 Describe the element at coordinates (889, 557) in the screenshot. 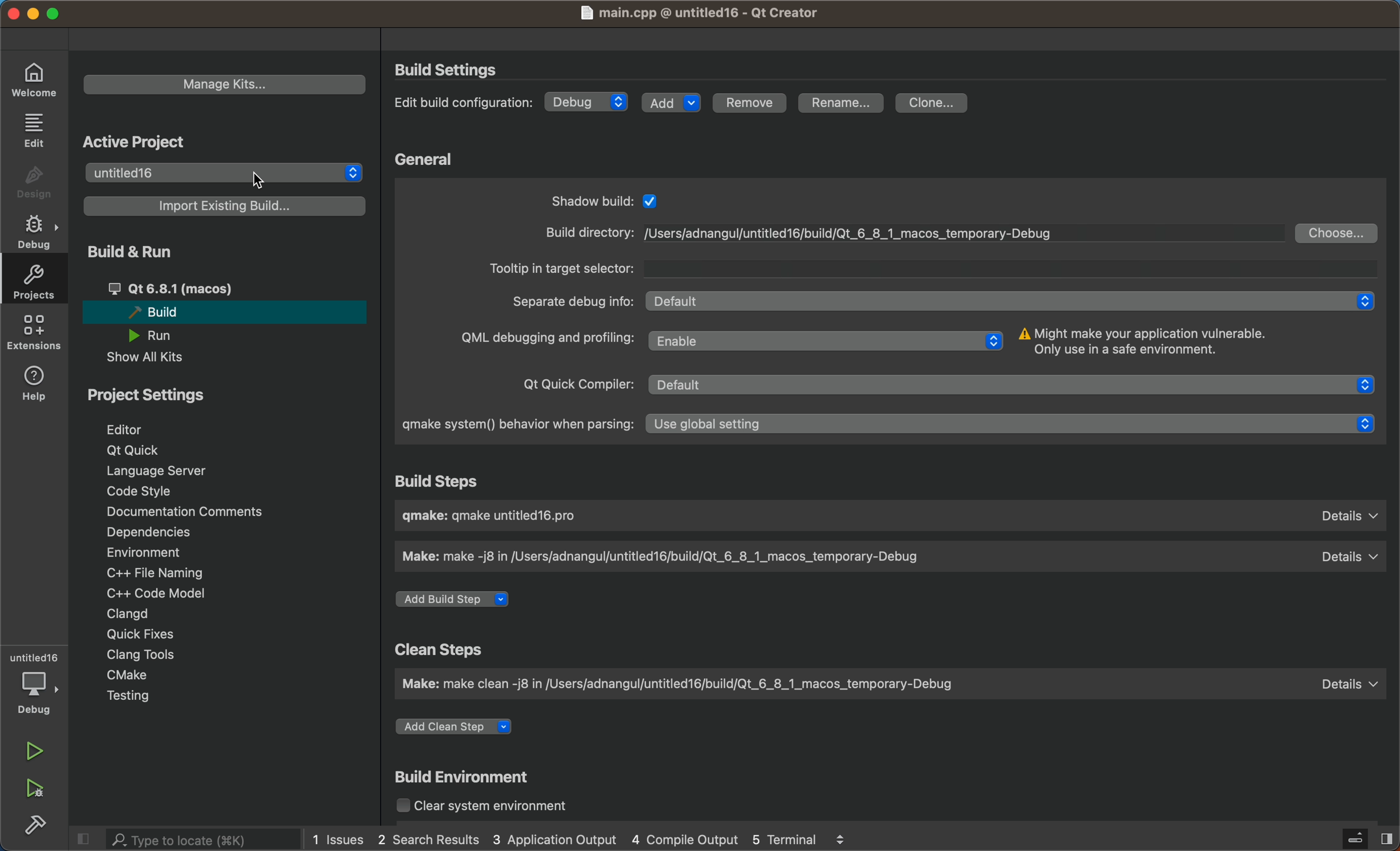

I see `` at that location.